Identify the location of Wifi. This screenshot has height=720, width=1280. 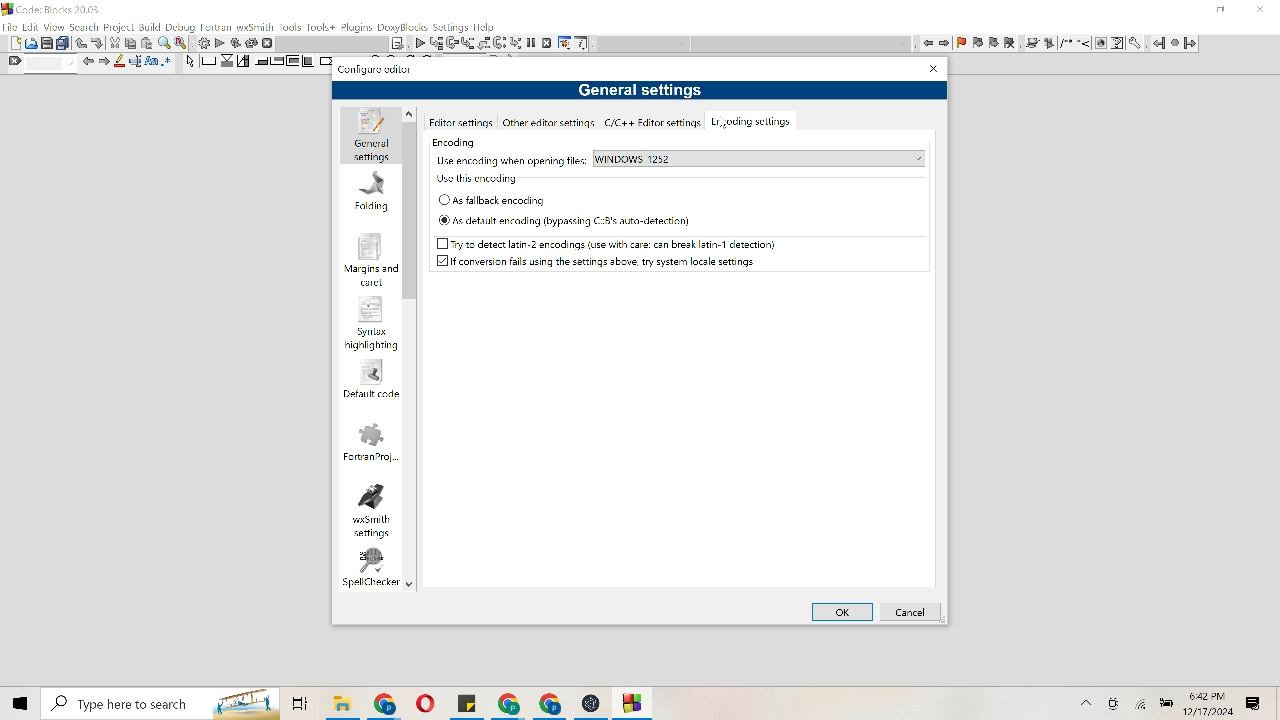
(1143, 703).